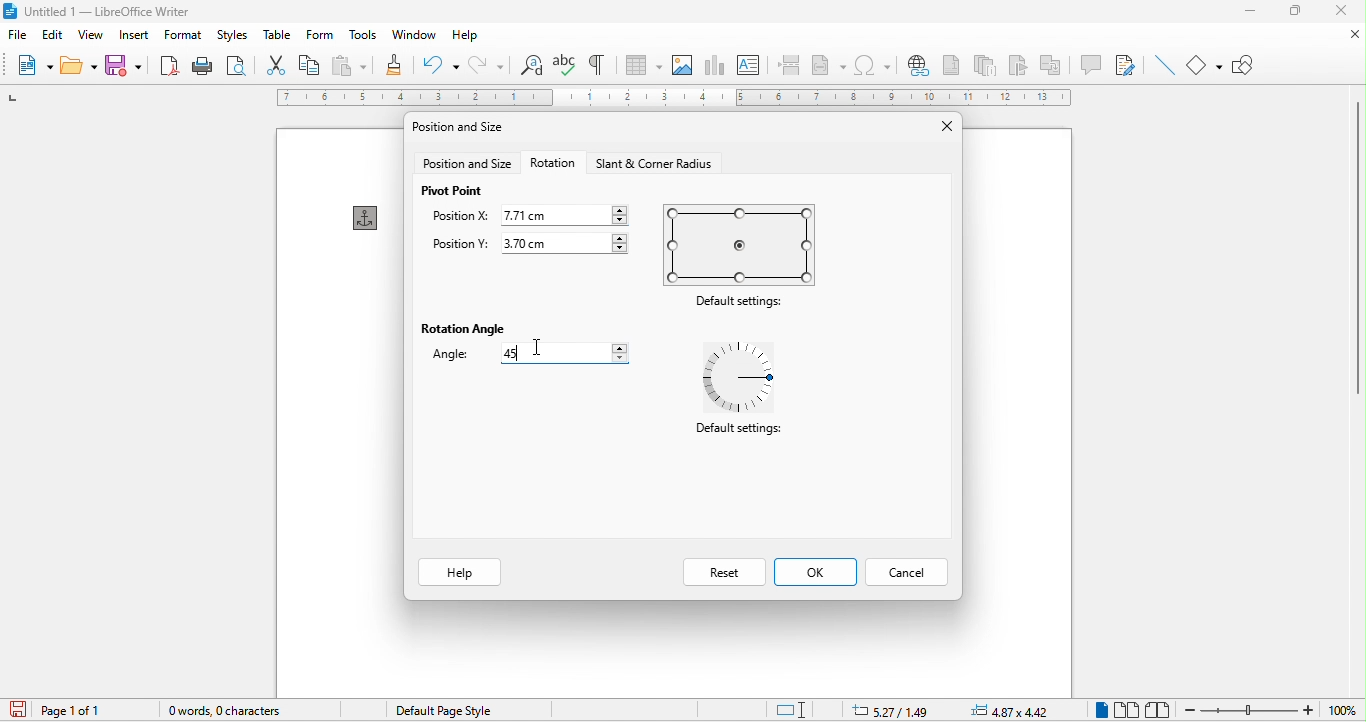  What do you see at coordinates (937, 125) in the screenshot?
I see `close` at bounding box center [937, 125].